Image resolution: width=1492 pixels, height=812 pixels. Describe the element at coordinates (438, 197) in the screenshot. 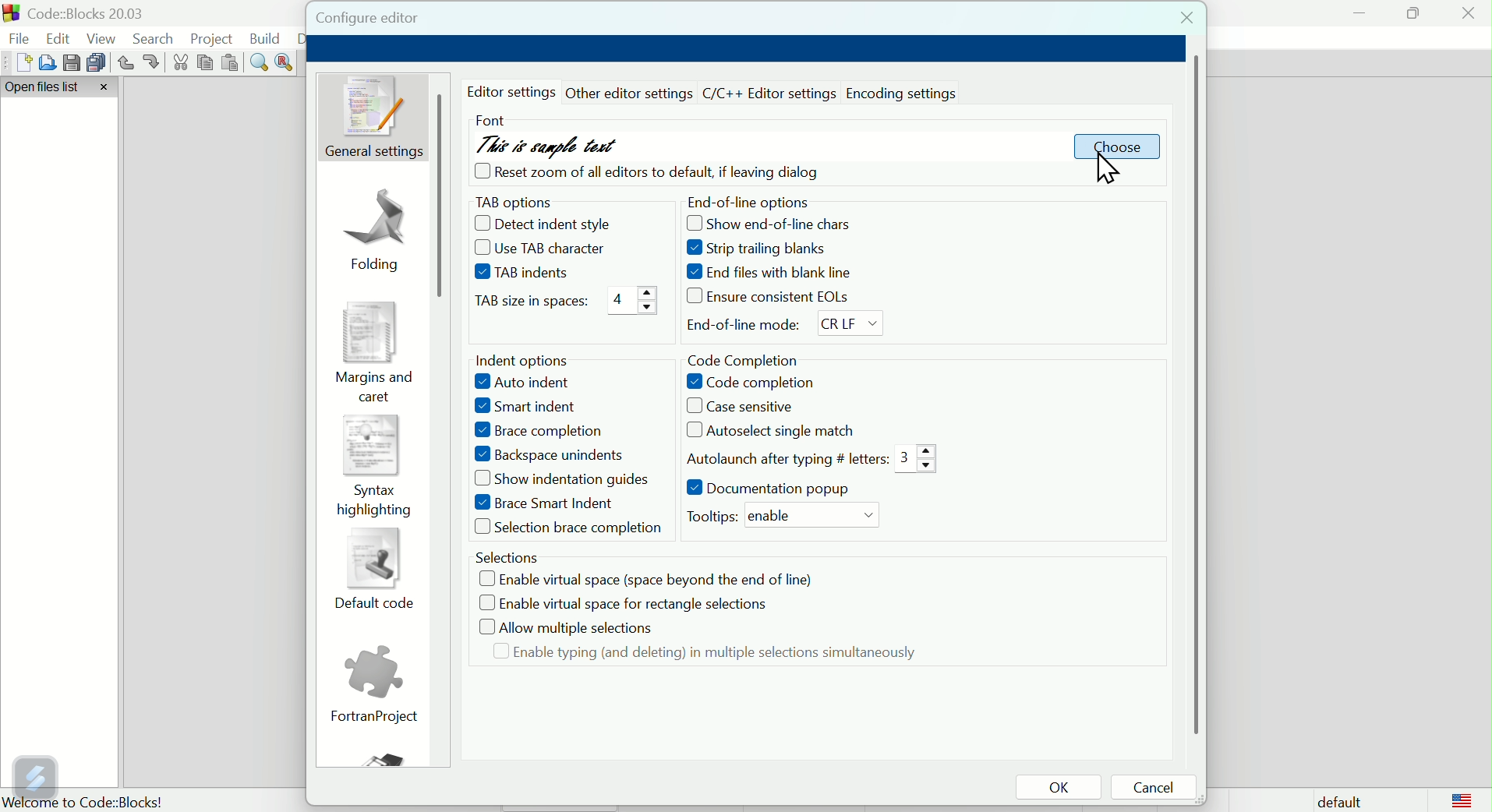

I see `scroll bar` at that location.